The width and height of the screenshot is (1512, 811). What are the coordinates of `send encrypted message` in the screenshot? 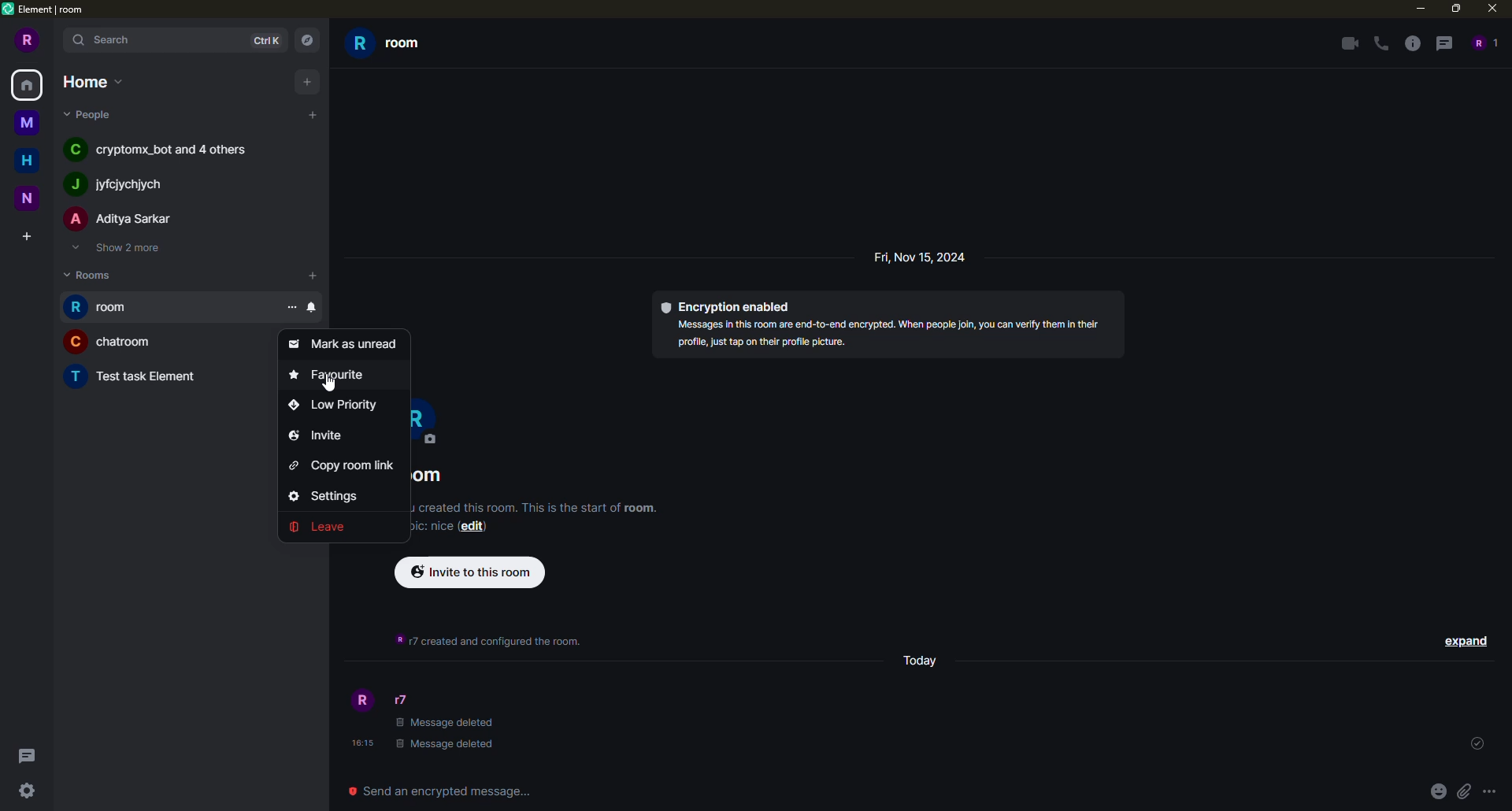 It's located at (446, 789).